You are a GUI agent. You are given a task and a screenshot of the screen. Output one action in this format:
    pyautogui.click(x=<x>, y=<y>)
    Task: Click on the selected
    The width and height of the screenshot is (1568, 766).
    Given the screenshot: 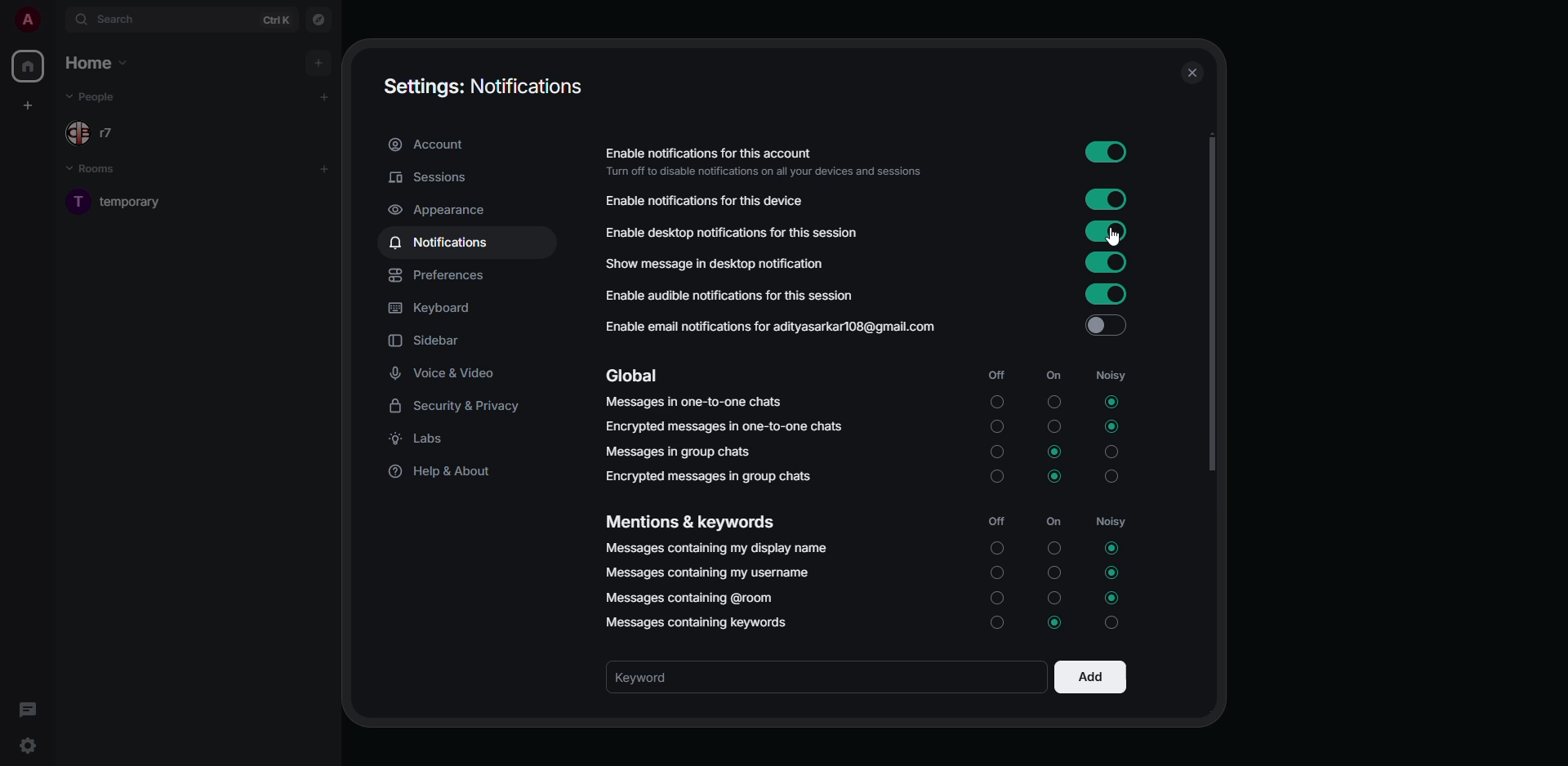 What is the action you would take?
    pyautogui.click(x=1052, y=479)
    